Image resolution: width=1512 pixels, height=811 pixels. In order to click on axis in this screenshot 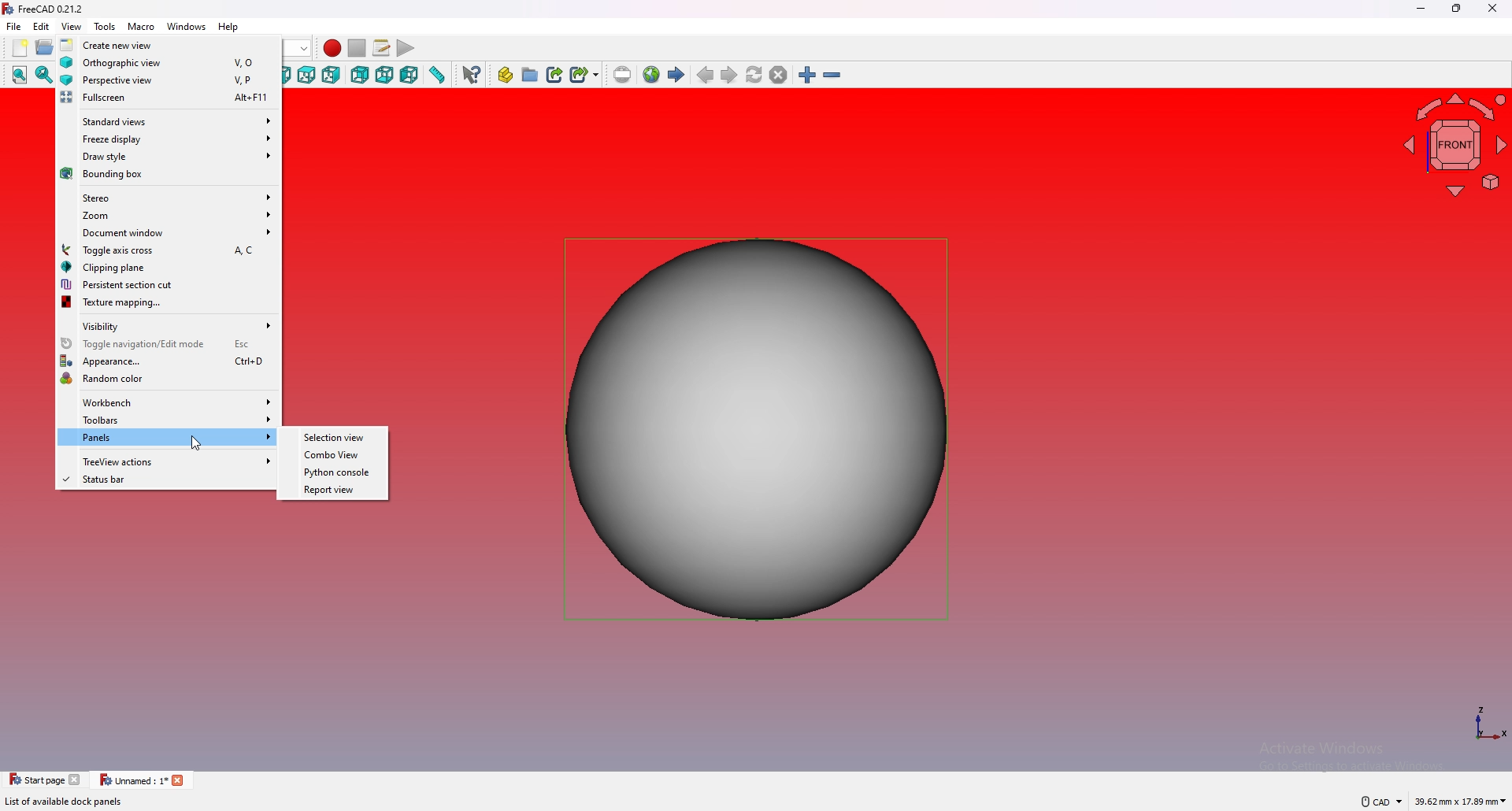, I will do `click(1489, 724)`.